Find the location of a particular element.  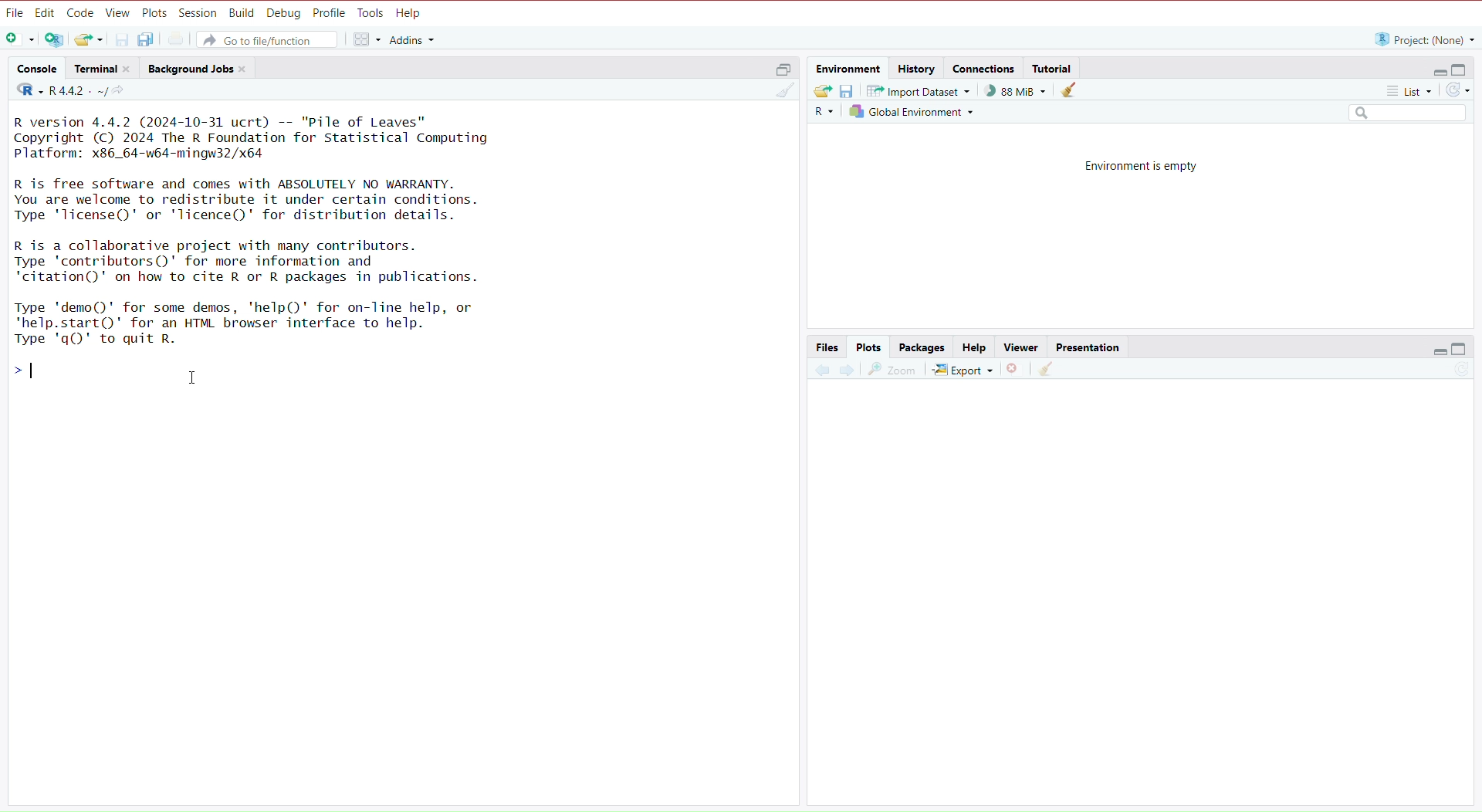

Environment is located at coordinates (849, 67).